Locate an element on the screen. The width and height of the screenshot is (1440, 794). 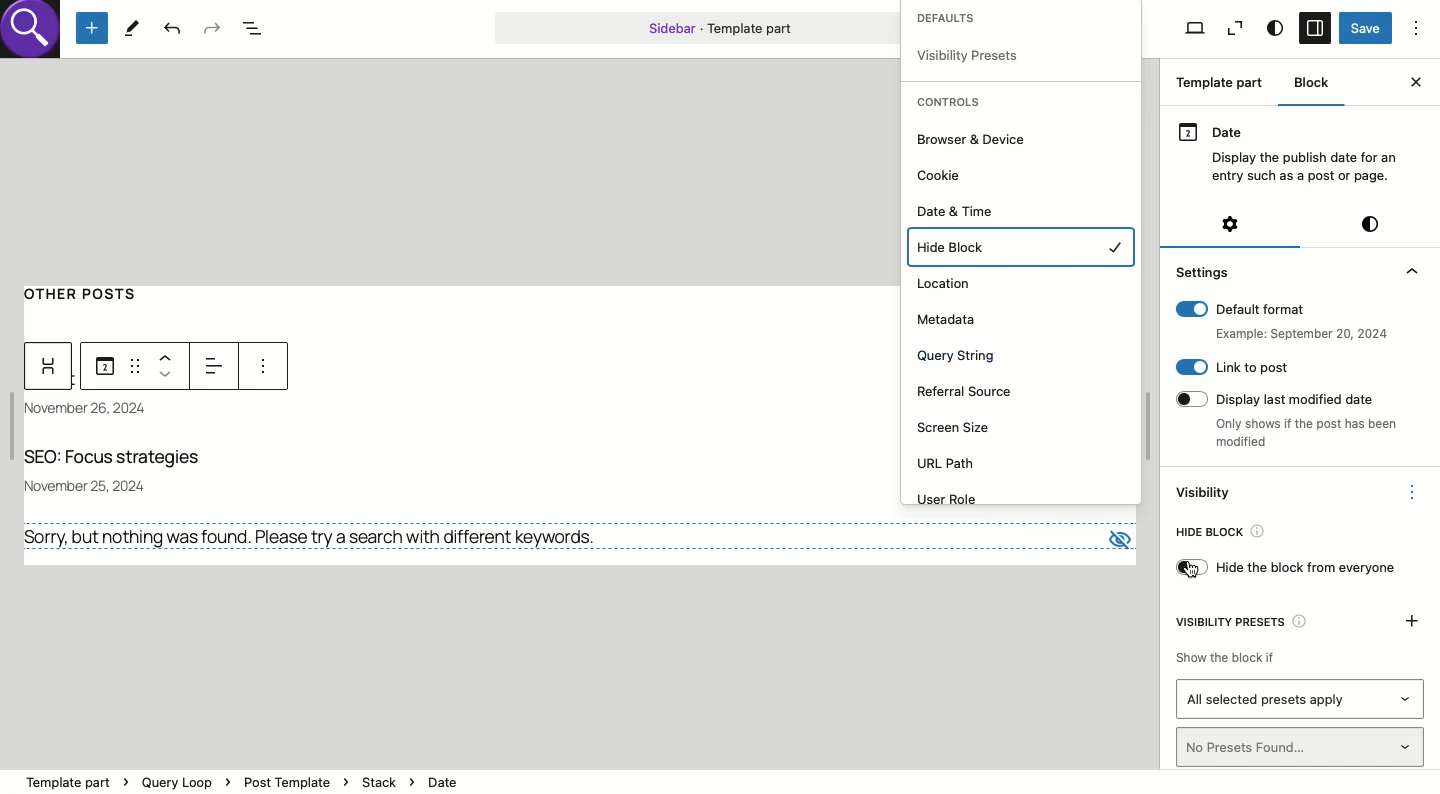
Tools is located at coordinates (132, 27).